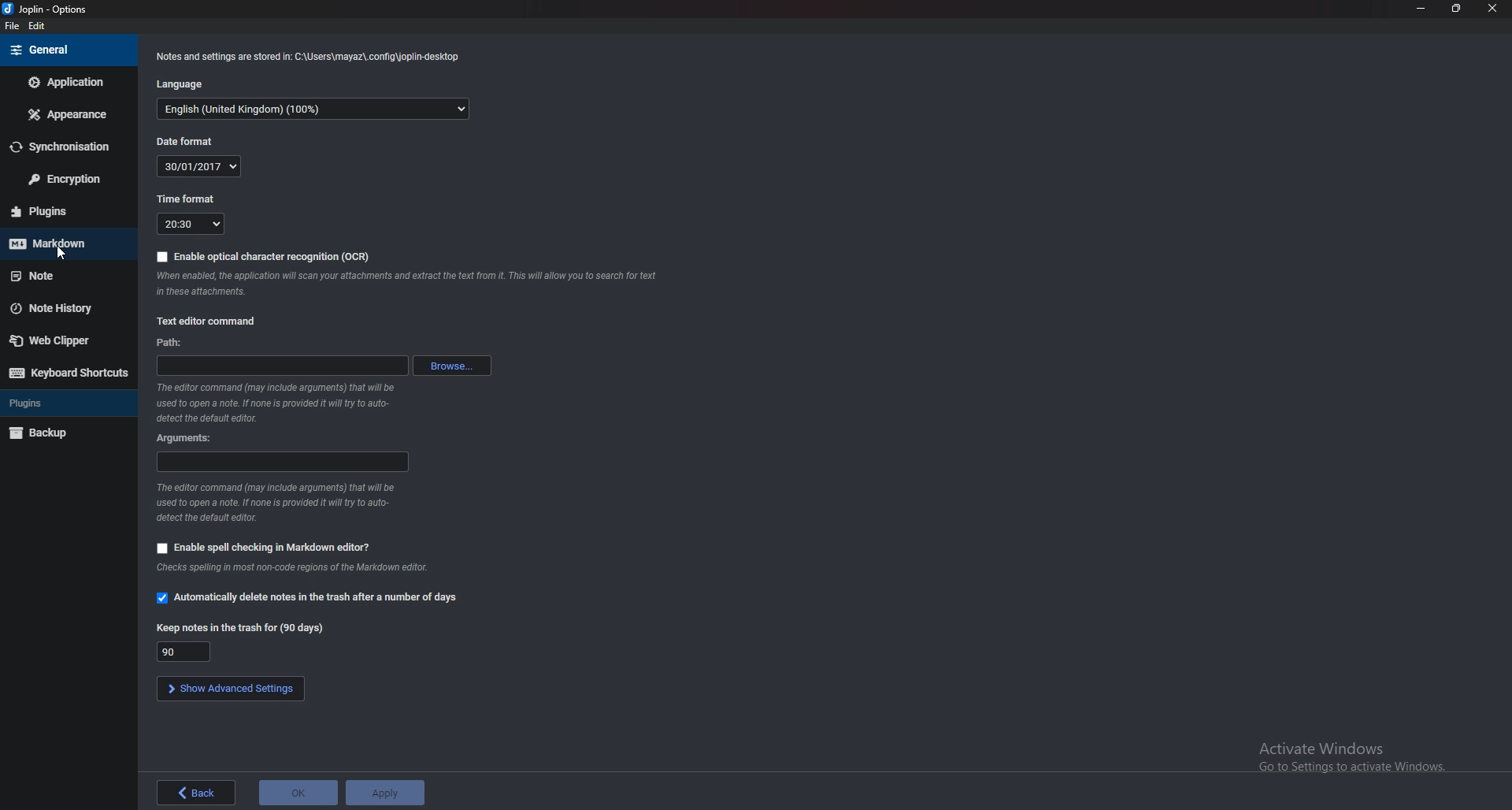 The width and height of the screenshot is (1512, 810). What do you see at coordinates (61, 308) in the screenshot?
I see `Note history` at bounding box center [61, 308].